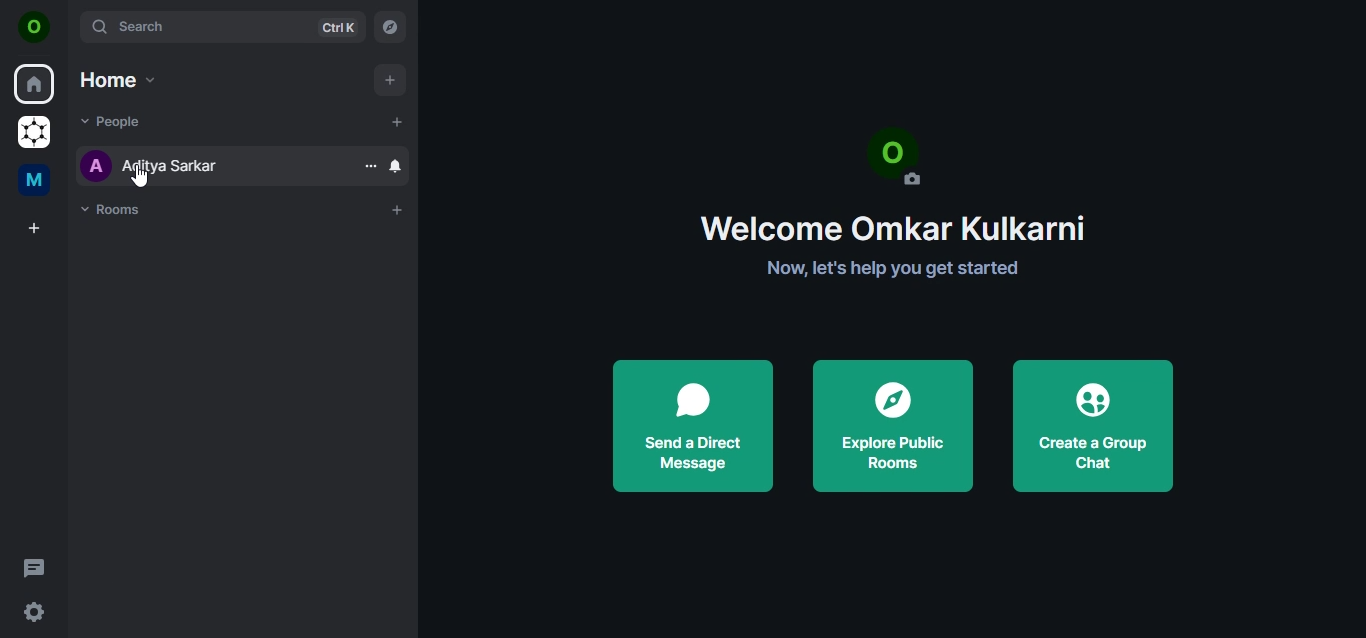 This screenshot has height=638, width=1366. What do you see at coordinates (898, 228) in the screenshot?
I see `Welcome Omkar Kulkarni` at bounding box center [898, 228].